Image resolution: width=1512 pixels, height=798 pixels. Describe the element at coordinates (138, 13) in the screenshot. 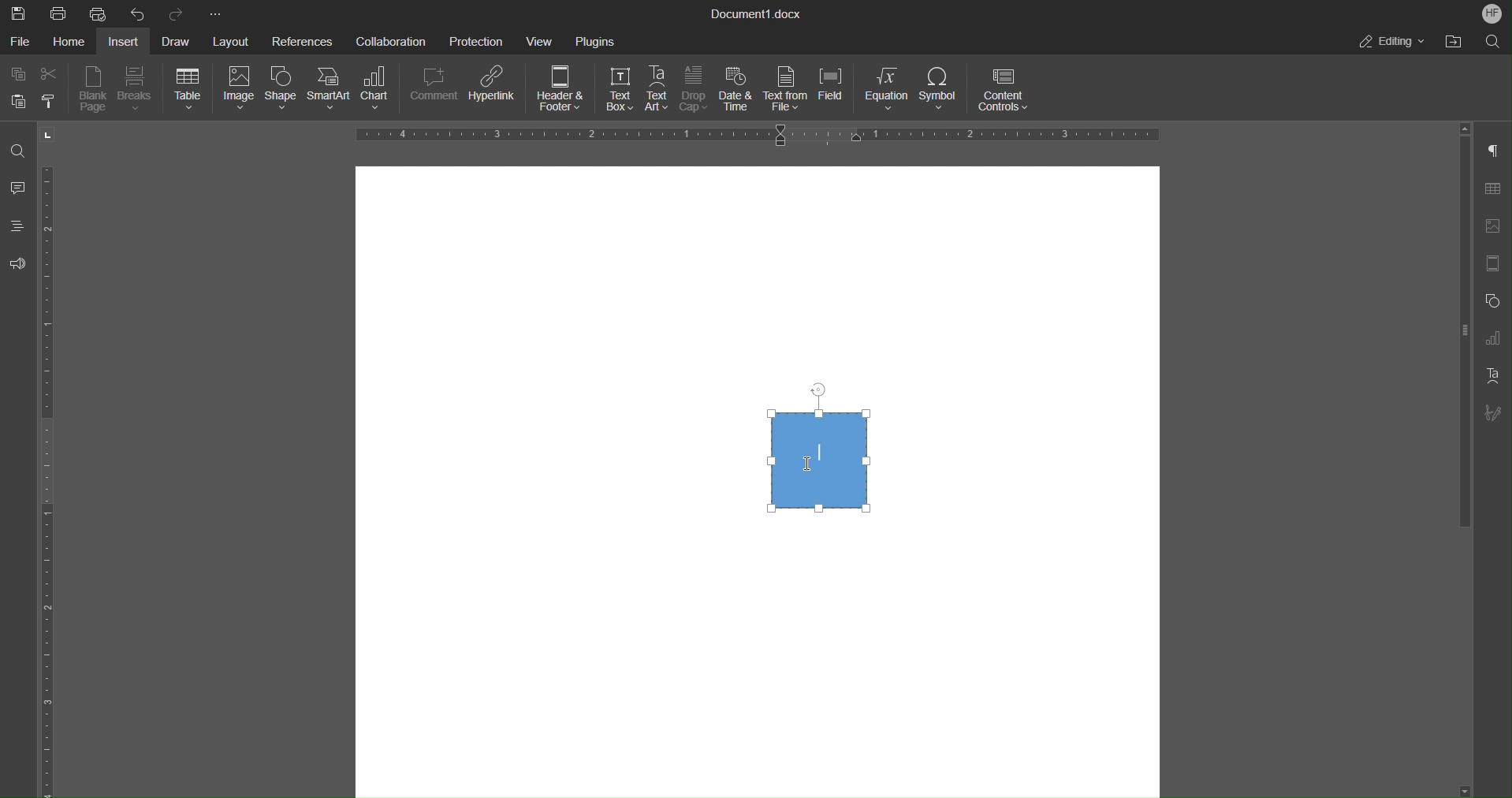

I see `Undo` at that location.